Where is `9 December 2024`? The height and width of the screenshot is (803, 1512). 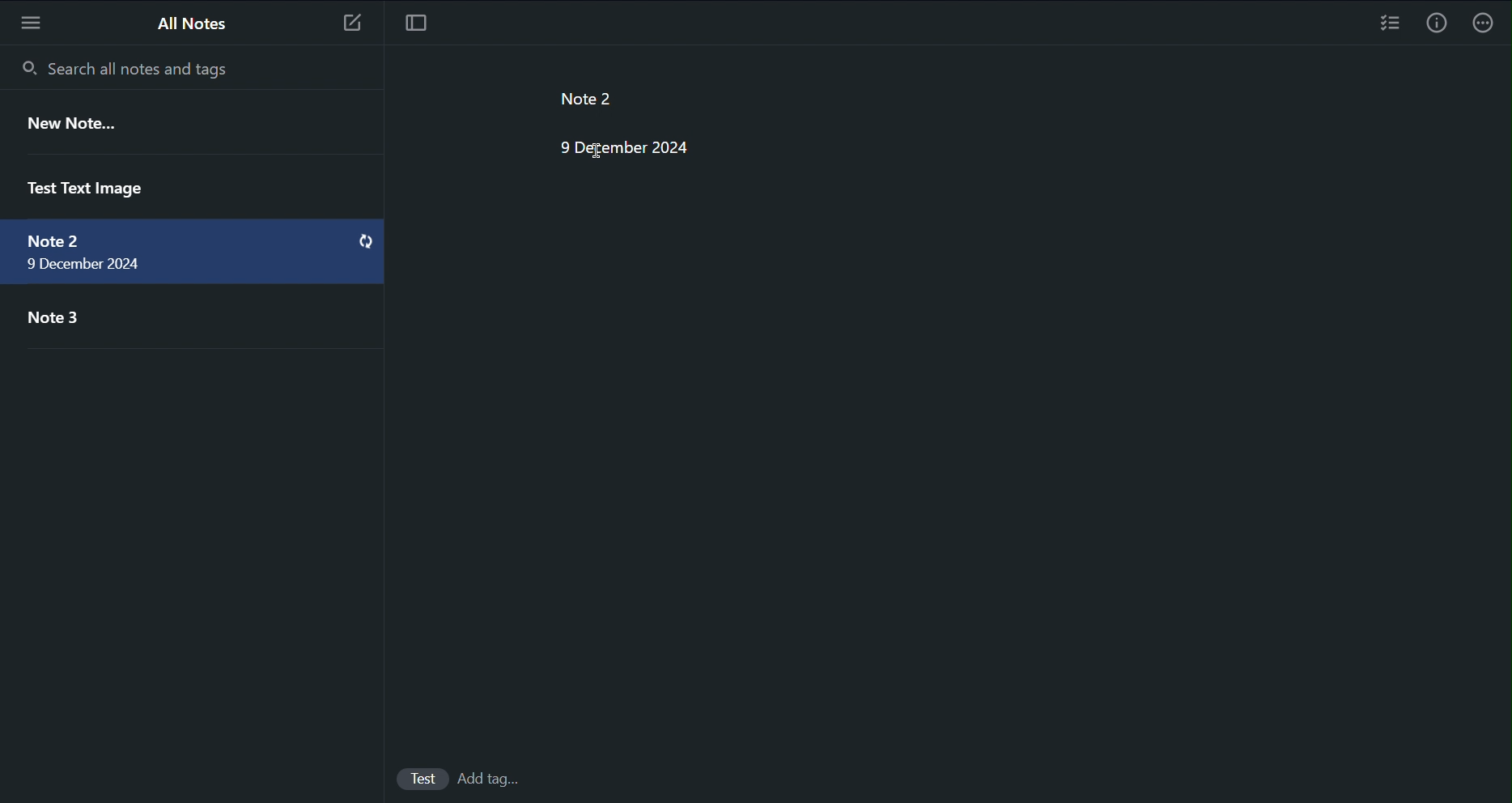 9 December 2024 is located at coordinates (86, 266).